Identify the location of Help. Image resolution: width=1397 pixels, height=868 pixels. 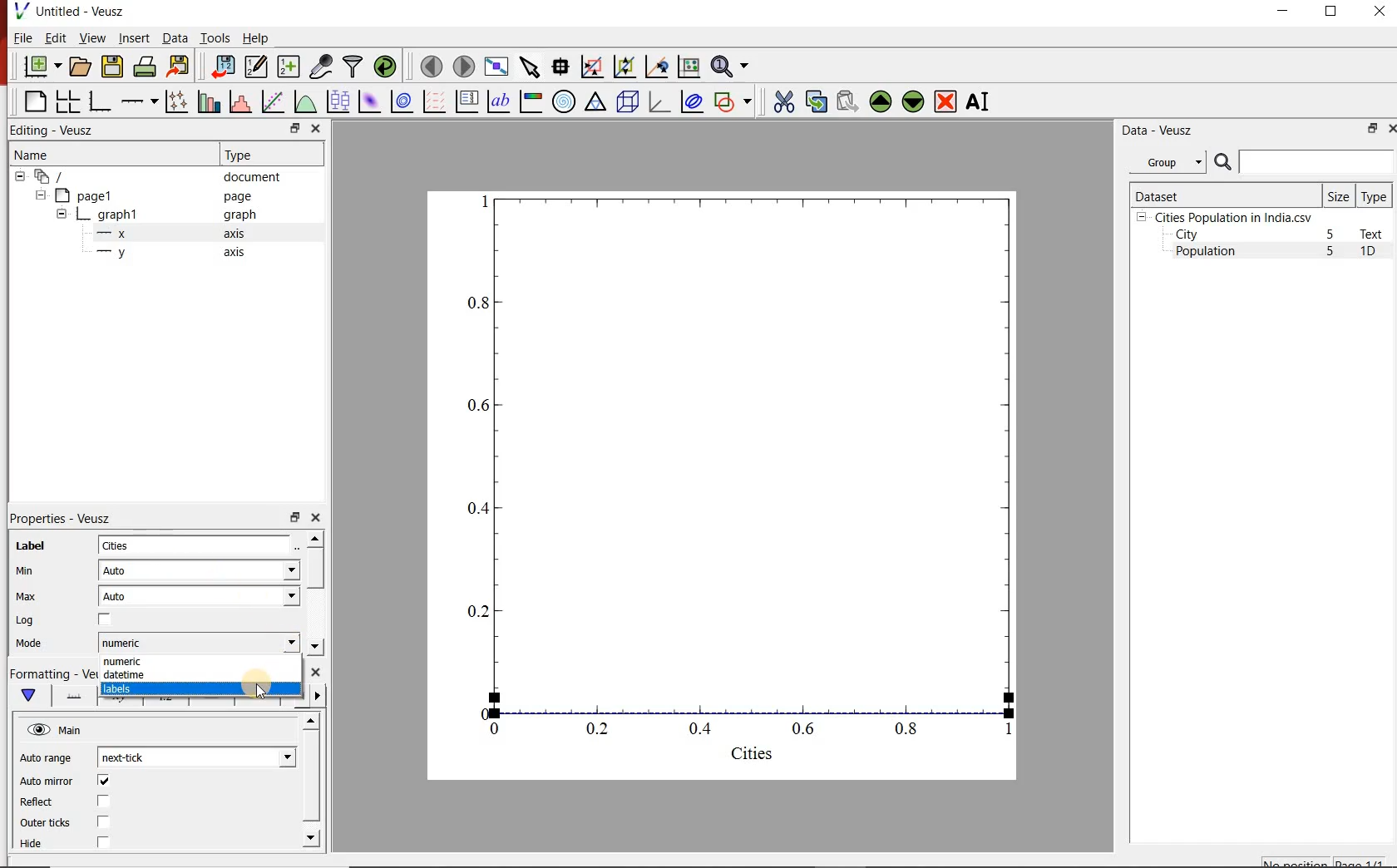
(257, 37).